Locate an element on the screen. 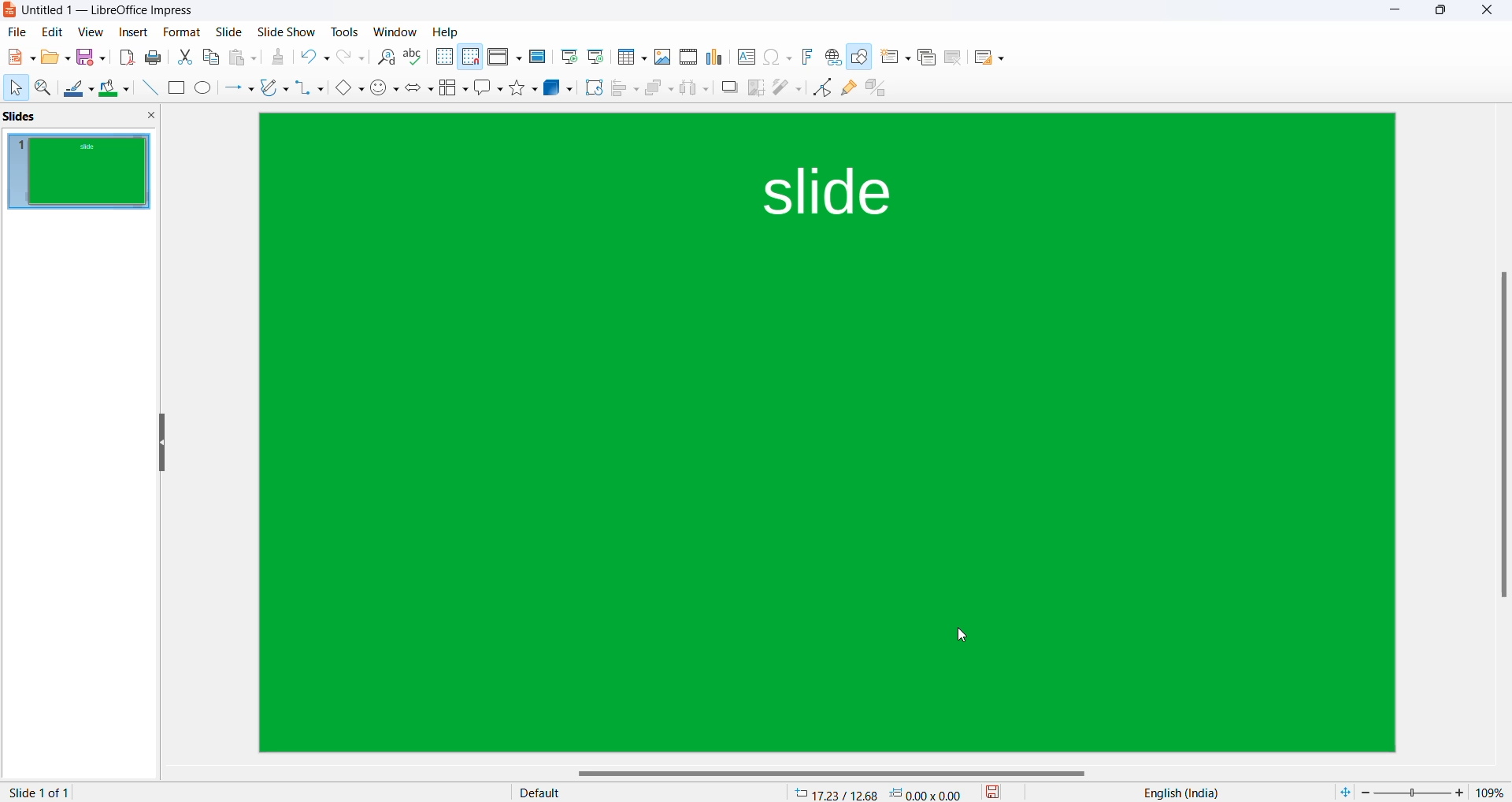 Image resolution: width=1512 pixels, height=802 pixels. edit is located at coordinates (54, 32).